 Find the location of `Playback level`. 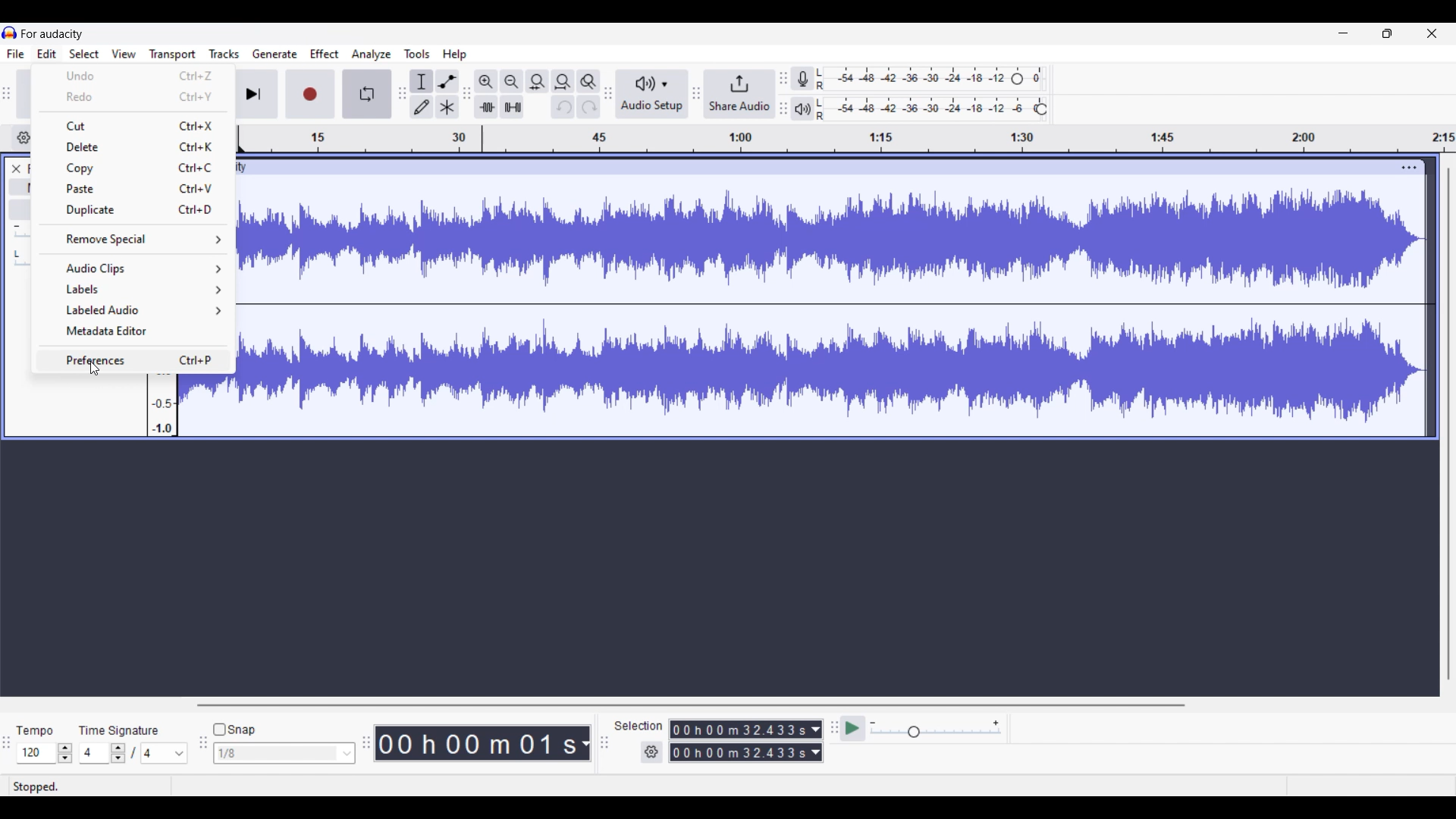

Playback level is located at coordinates (924, 109).